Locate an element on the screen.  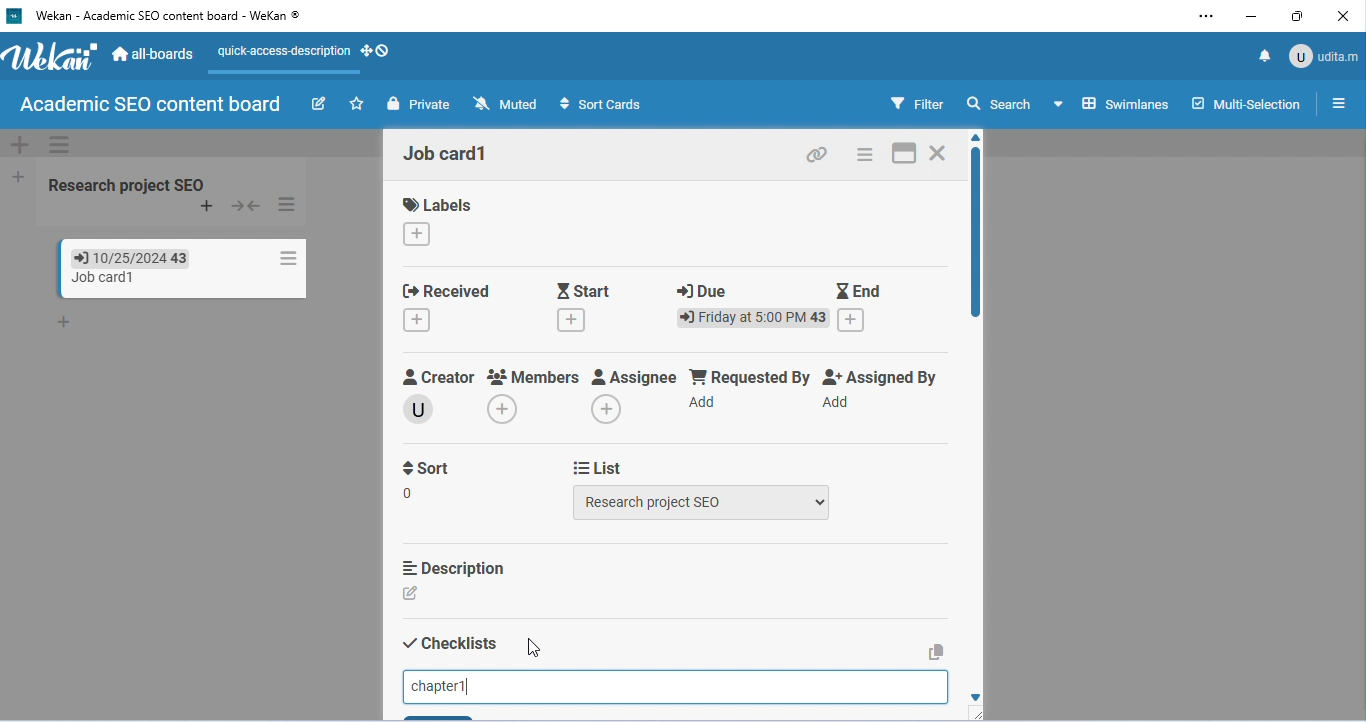
admin is located at coordinates (1324, 54).